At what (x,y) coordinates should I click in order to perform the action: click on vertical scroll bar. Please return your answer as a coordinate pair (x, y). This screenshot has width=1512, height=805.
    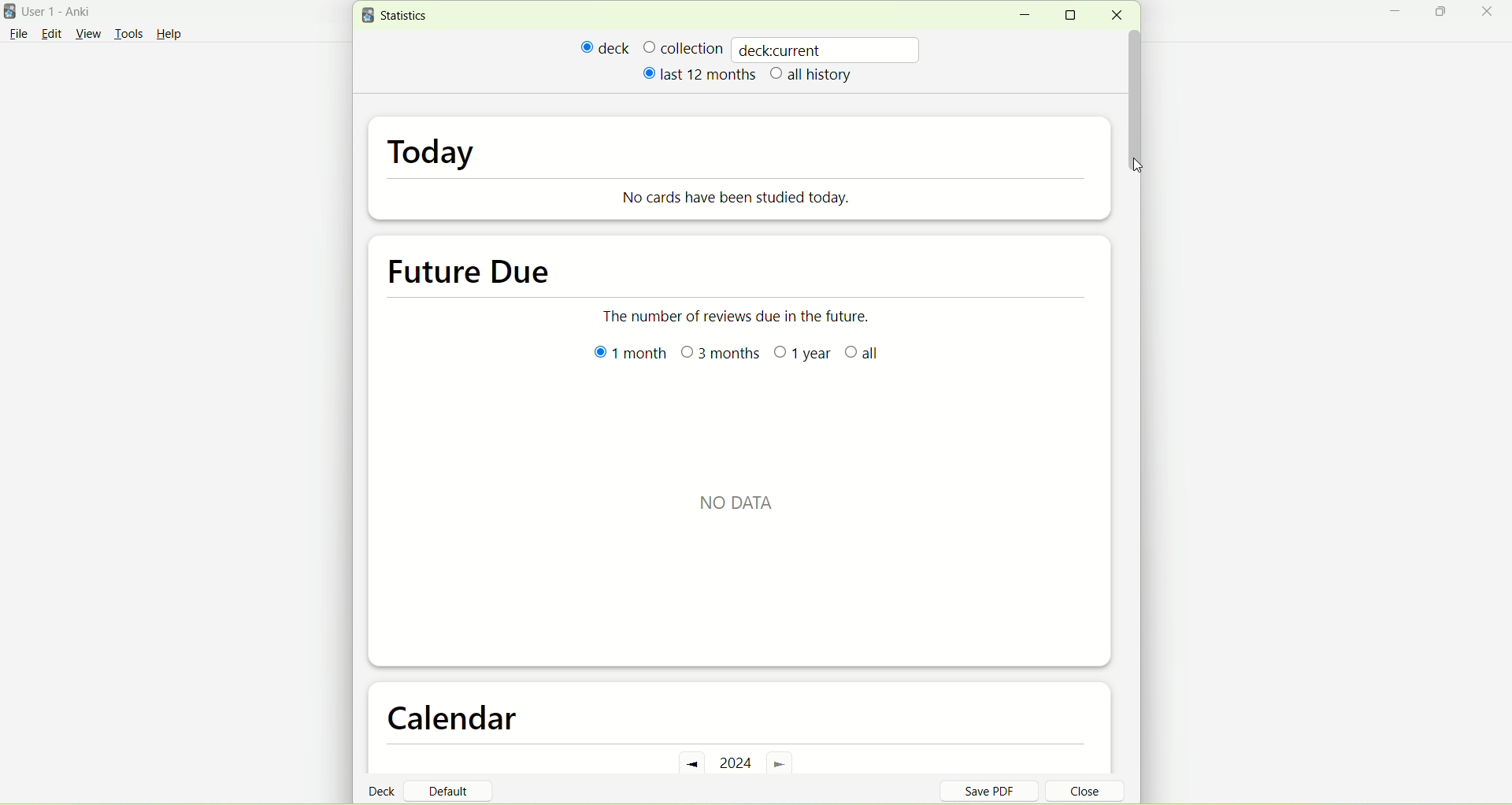
    Looking at the image, I should click on (1135, 86).